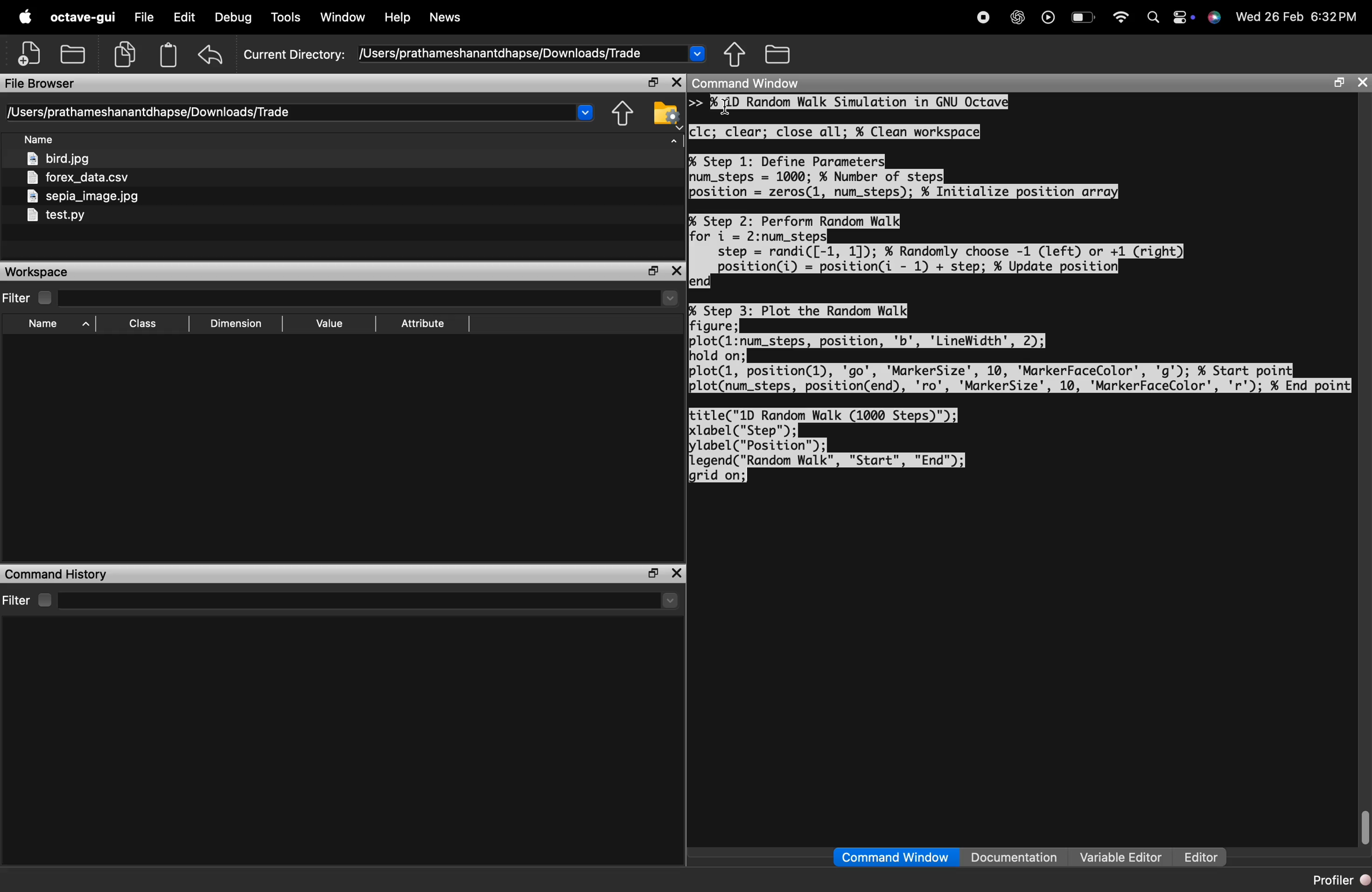 This screenshot has width=1372, height=892. What do you see at coordinates (1047, 17) in the screenshot?
I see `play` at bounding box center [1047, 17].